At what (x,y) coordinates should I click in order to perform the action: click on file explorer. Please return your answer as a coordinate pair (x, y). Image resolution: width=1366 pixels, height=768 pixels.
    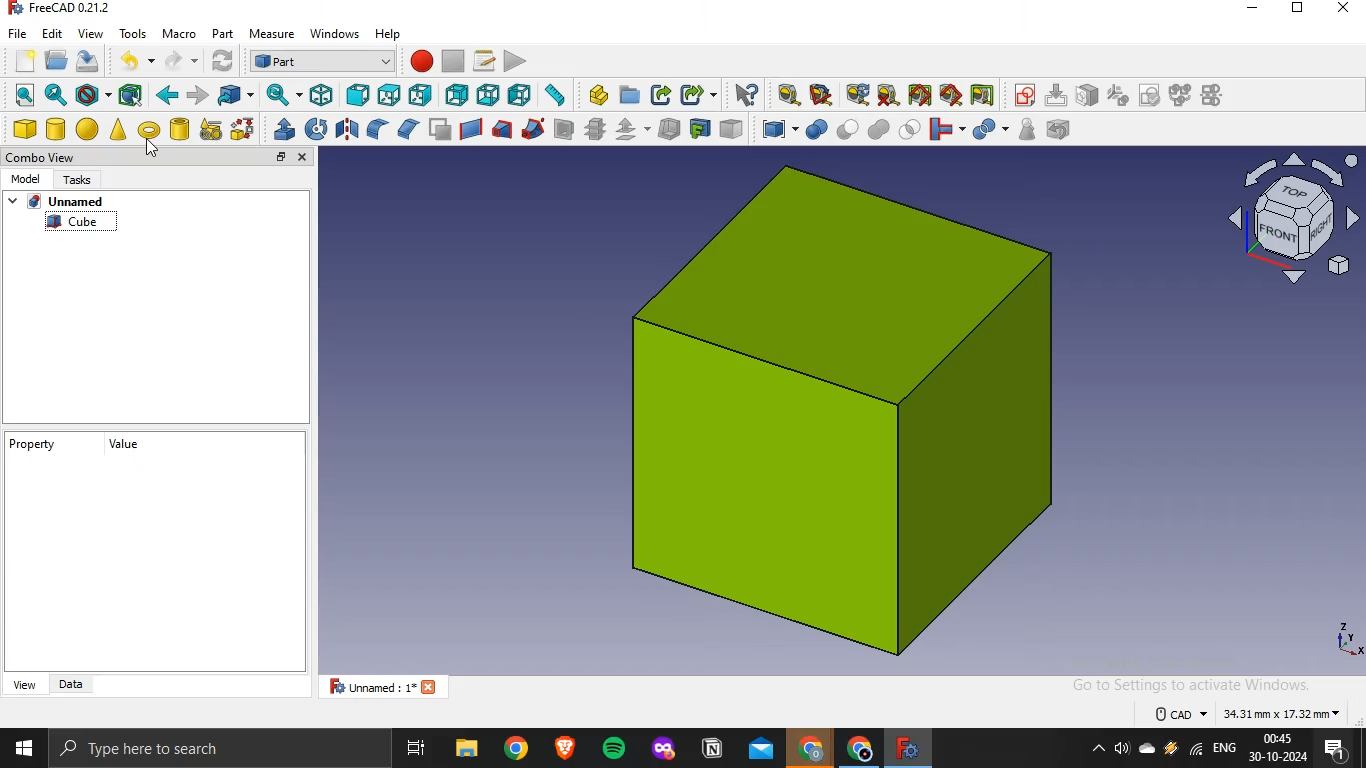
    Looking at the image, I should click on (466, 748).